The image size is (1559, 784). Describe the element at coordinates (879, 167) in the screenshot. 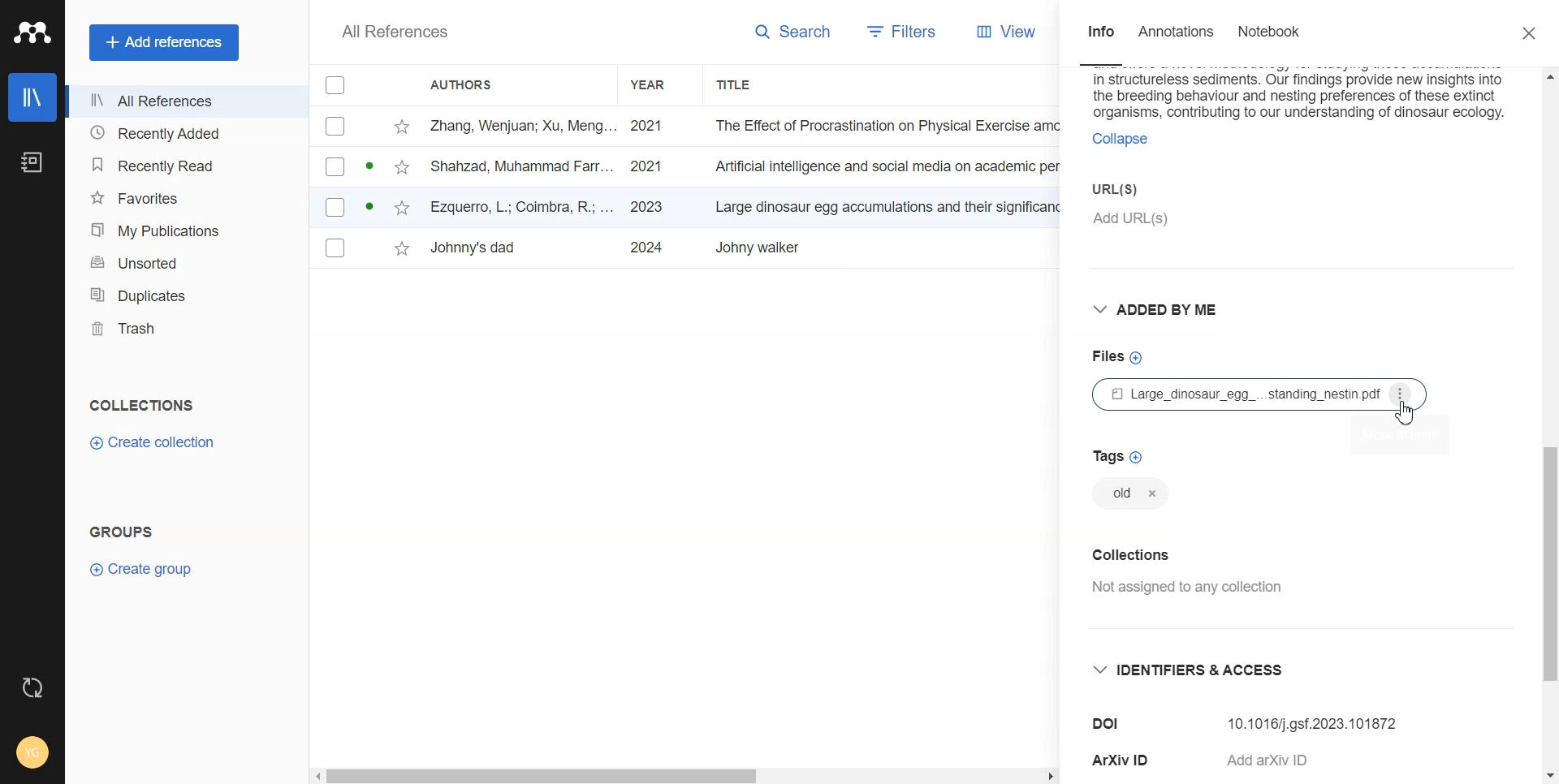

I see `Title` at that location.